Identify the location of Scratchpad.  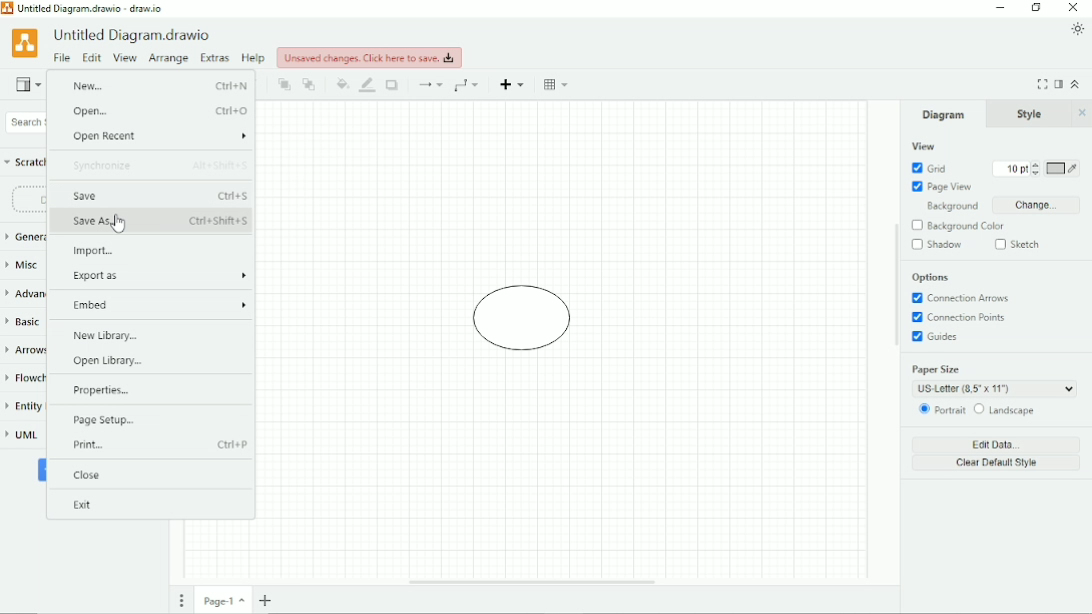
(24, 163).